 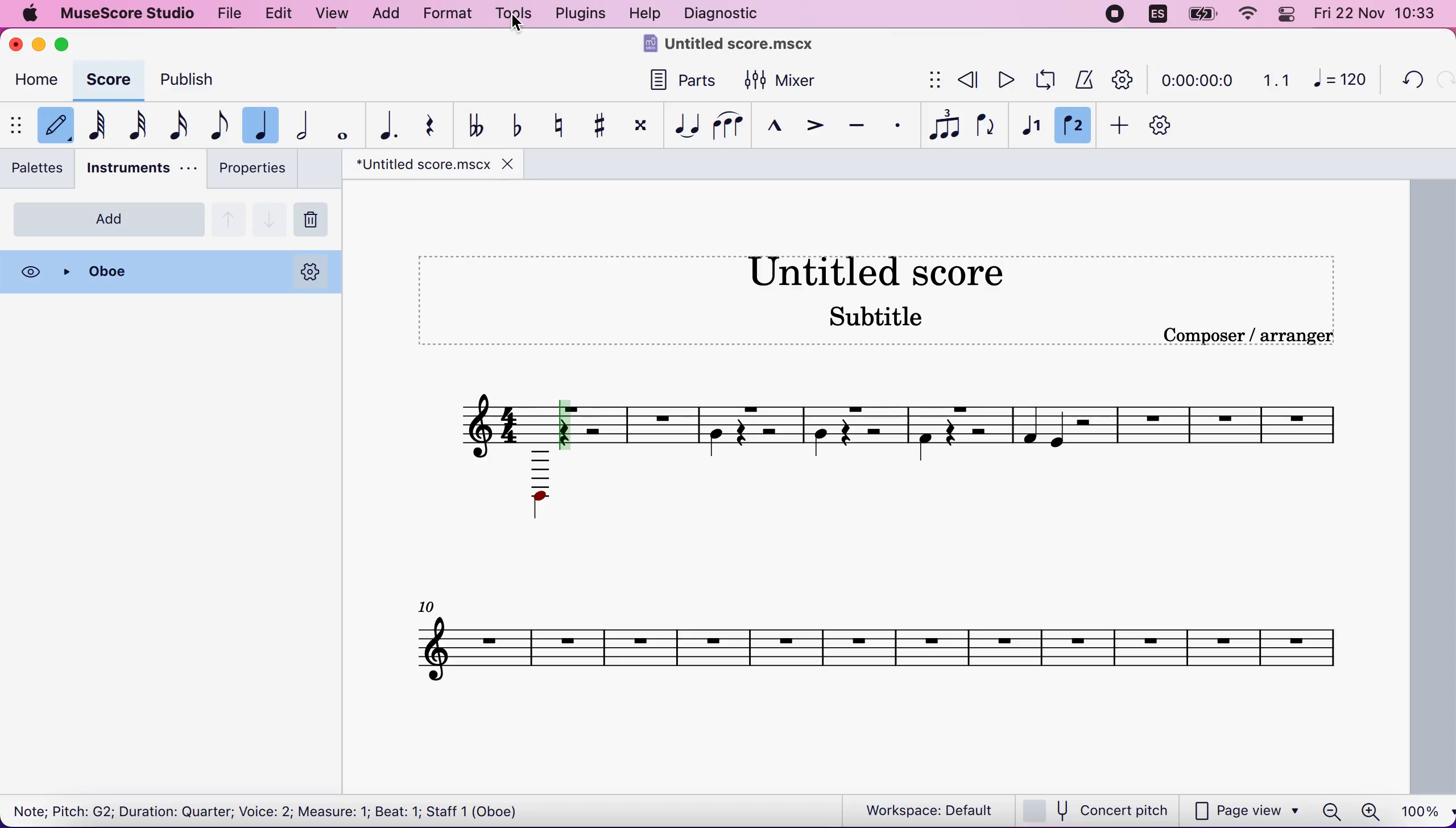 I want to click on playback loop, so click(x=1042, y=82).